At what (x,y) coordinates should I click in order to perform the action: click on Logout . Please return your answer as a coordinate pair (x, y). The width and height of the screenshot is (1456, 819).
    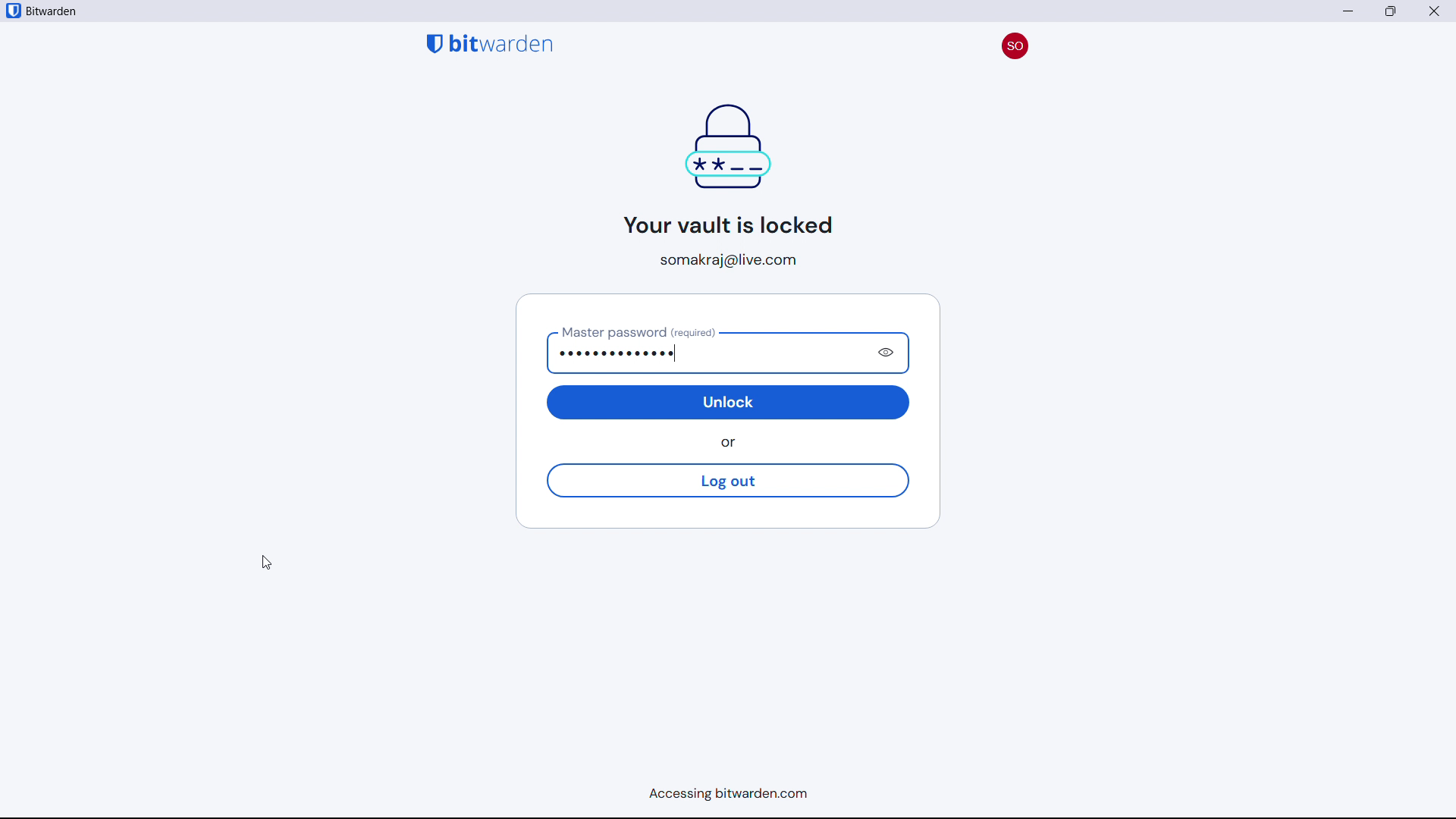
    Looking at the image, I should click on (726, 481).